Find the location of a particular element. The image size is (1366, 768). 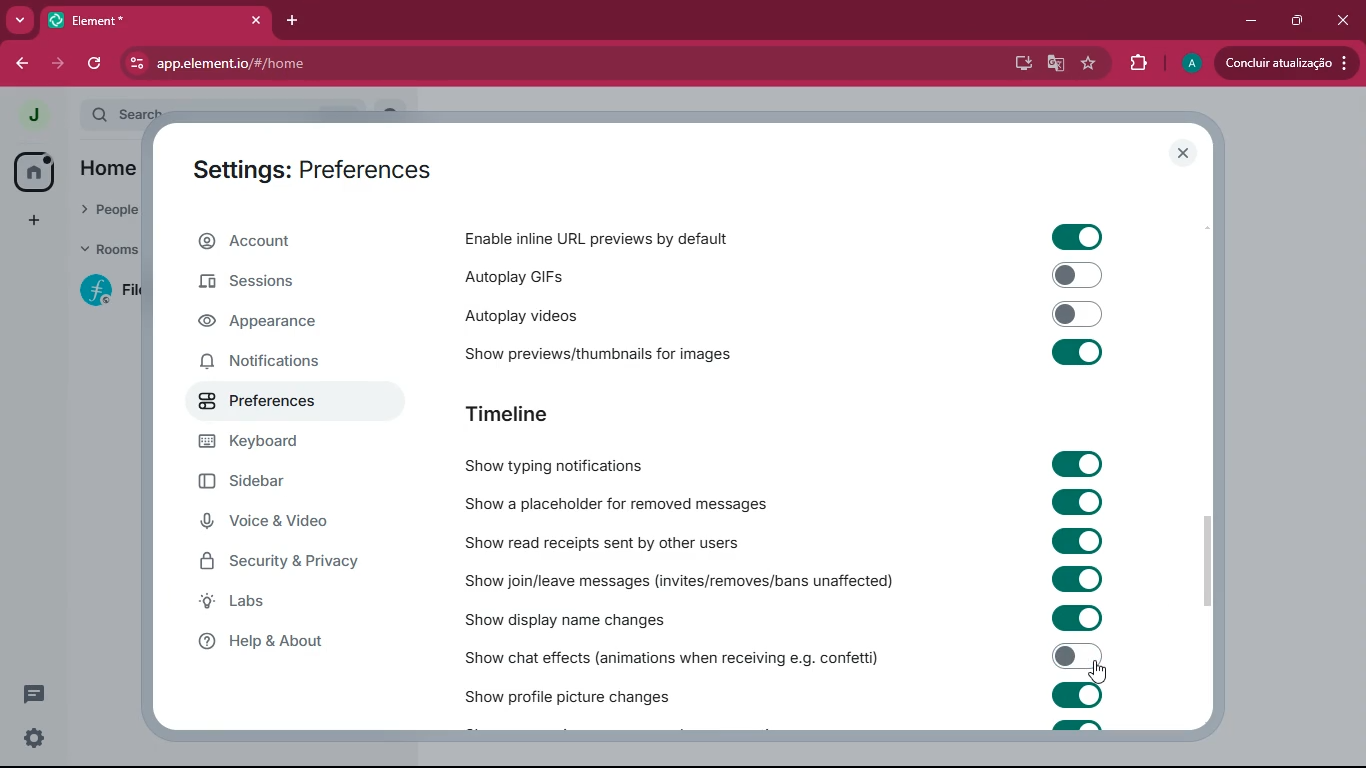

show chat effects (animations when receiving e.g. confetti) is located at coordinates (674, 654).